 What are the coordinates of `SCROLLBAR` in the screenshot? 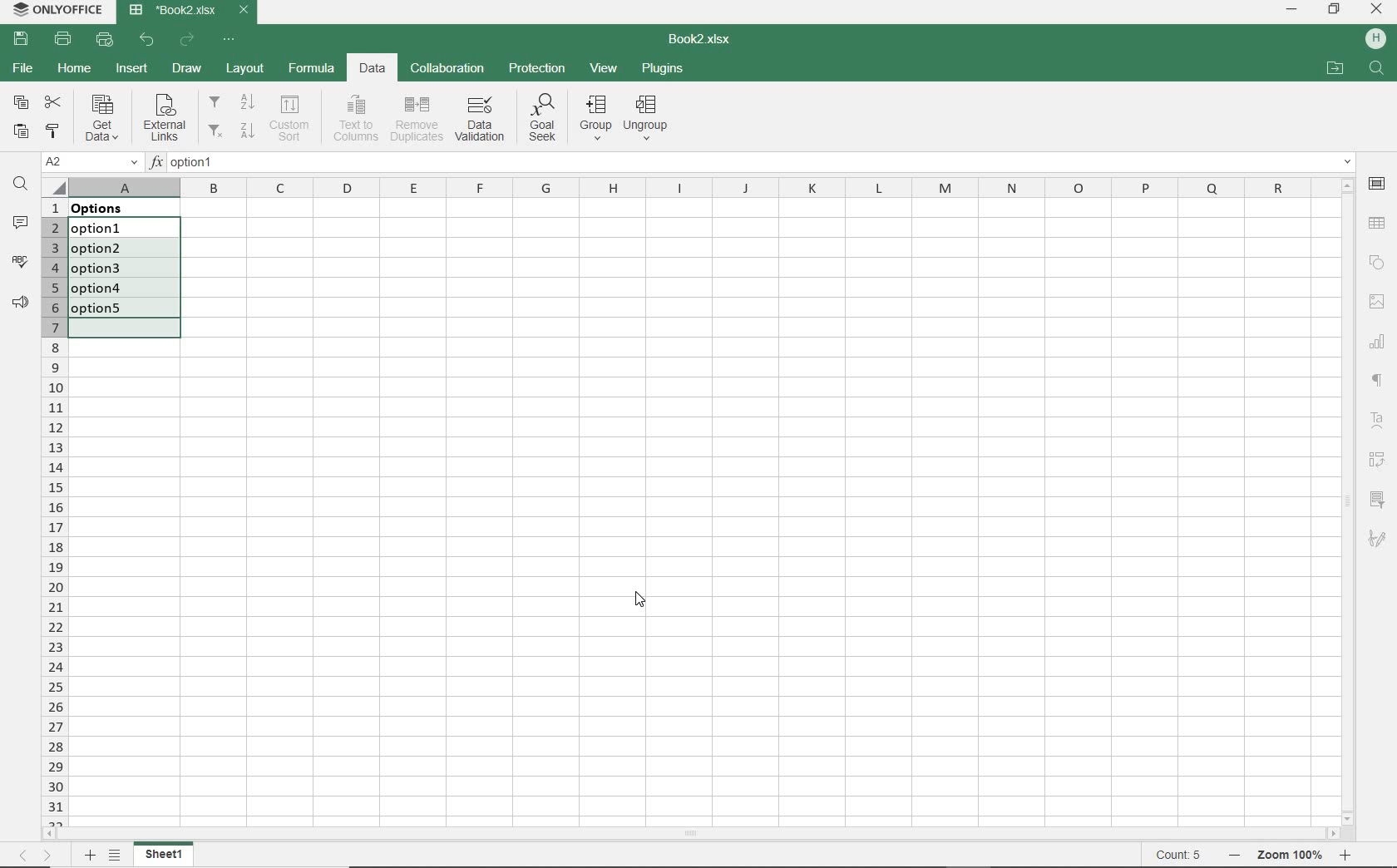 It's located at (691, 832).